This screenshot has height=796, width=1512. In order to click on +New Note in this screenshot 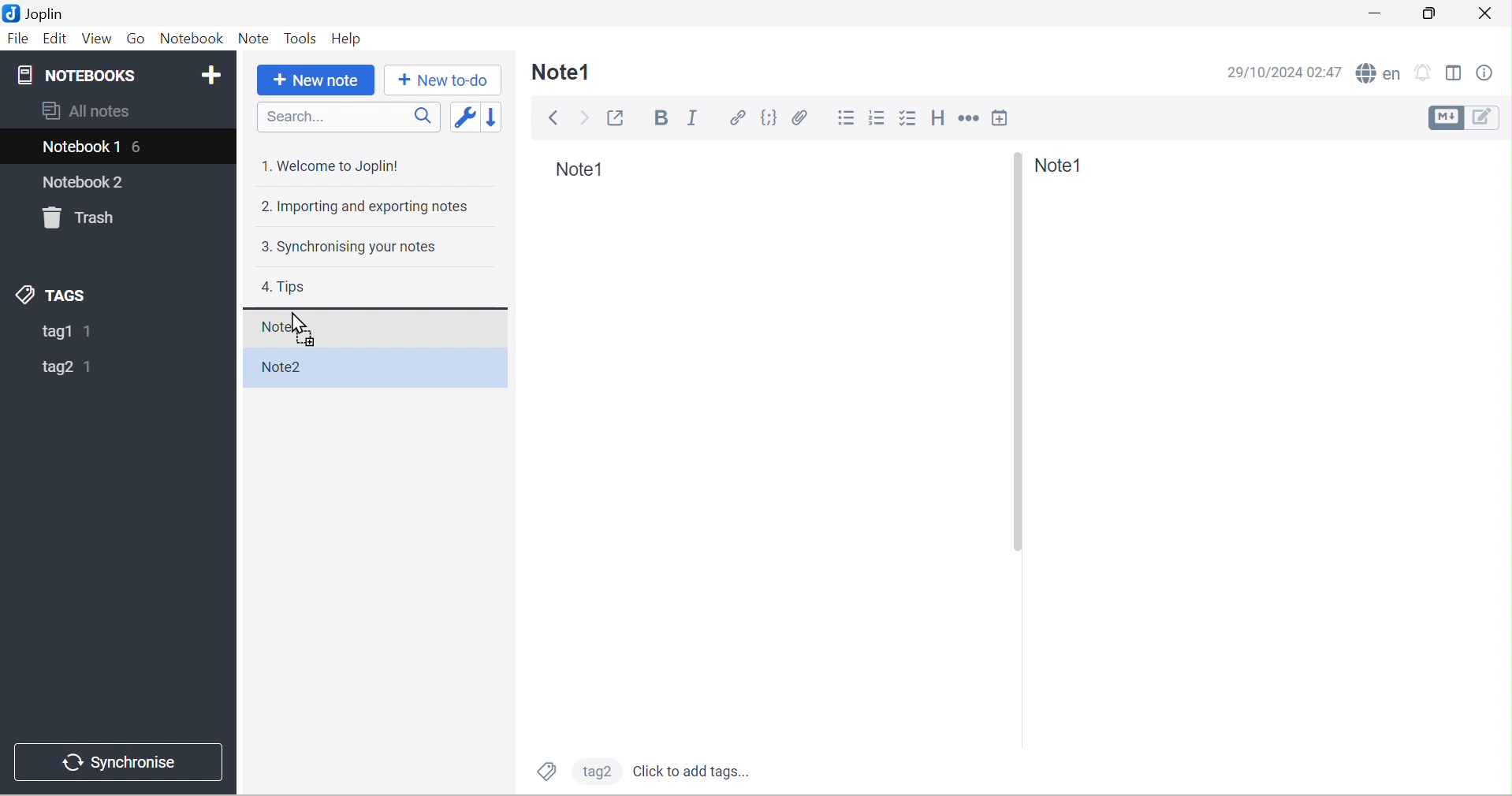, I will do `click(315, 82)`.